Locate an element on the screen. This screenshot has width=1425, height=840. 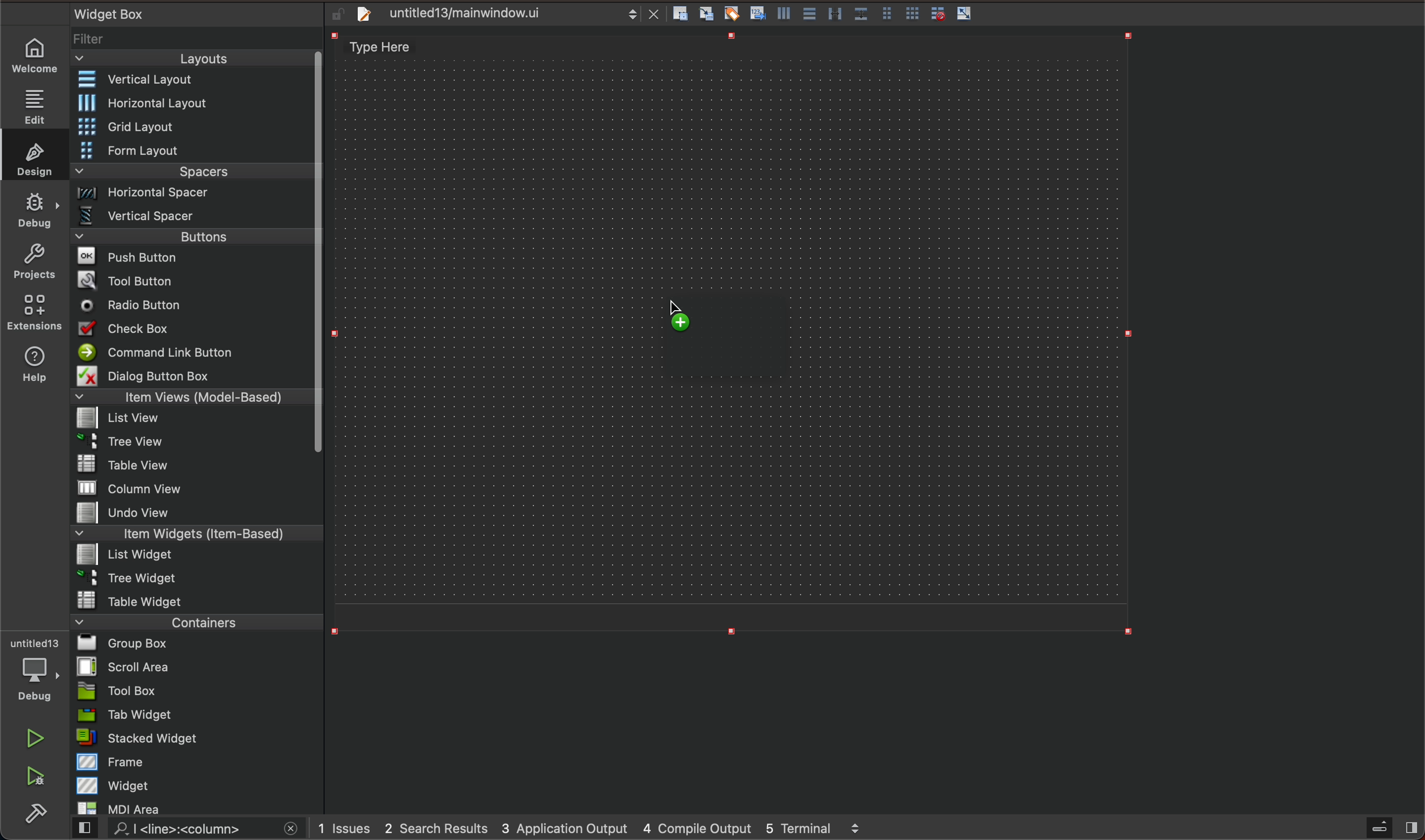
items widget is located at coordinates (192, 534).